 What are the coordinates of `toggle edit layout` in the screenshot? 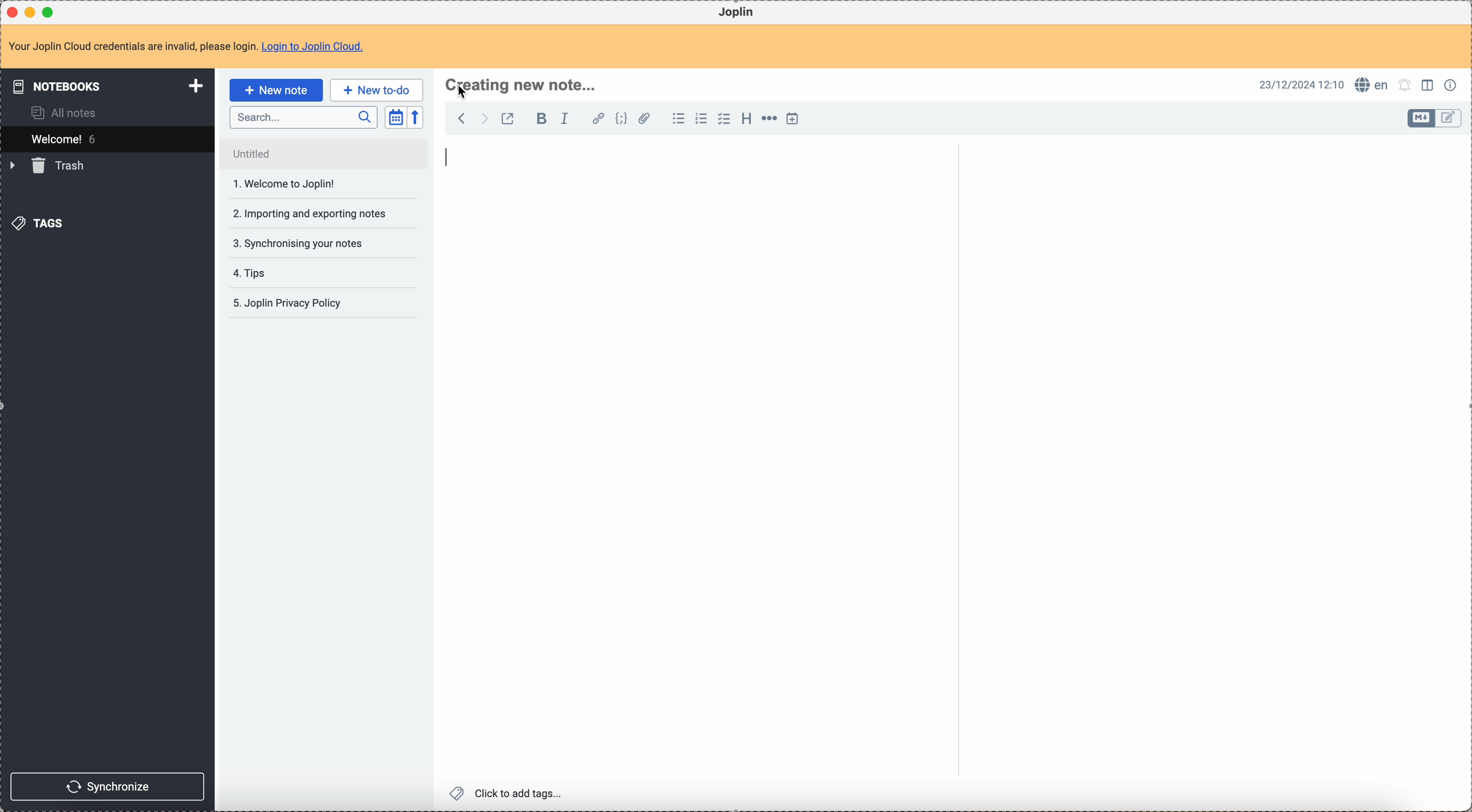 It's located at (1428, 84).